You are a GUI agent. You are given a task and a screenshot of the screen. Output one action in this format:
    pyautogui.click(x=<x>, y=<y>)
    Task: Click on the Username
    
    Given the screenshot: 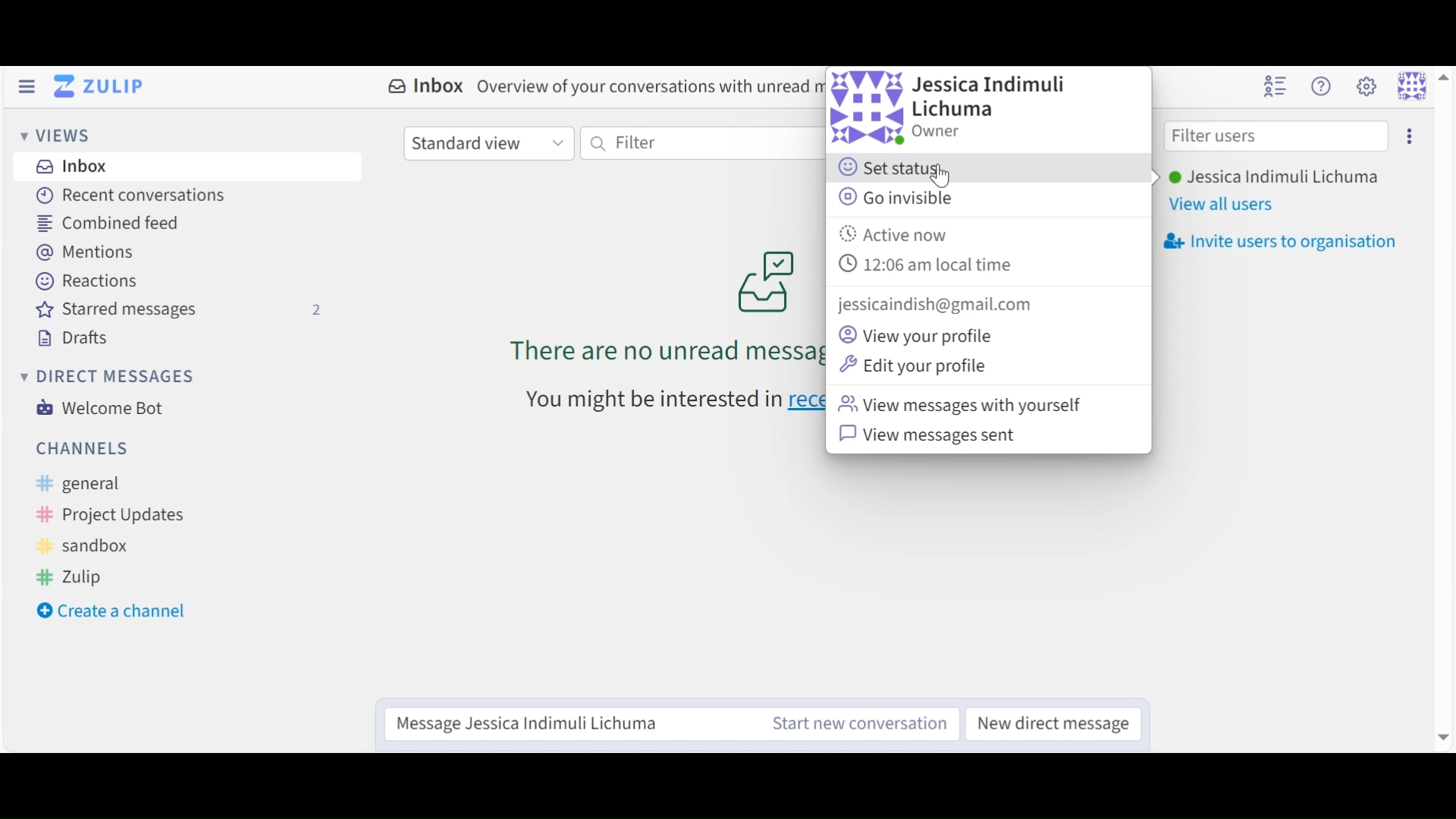 What is the action you would take?
    pyautogui.click(x=1272, y=178)
    